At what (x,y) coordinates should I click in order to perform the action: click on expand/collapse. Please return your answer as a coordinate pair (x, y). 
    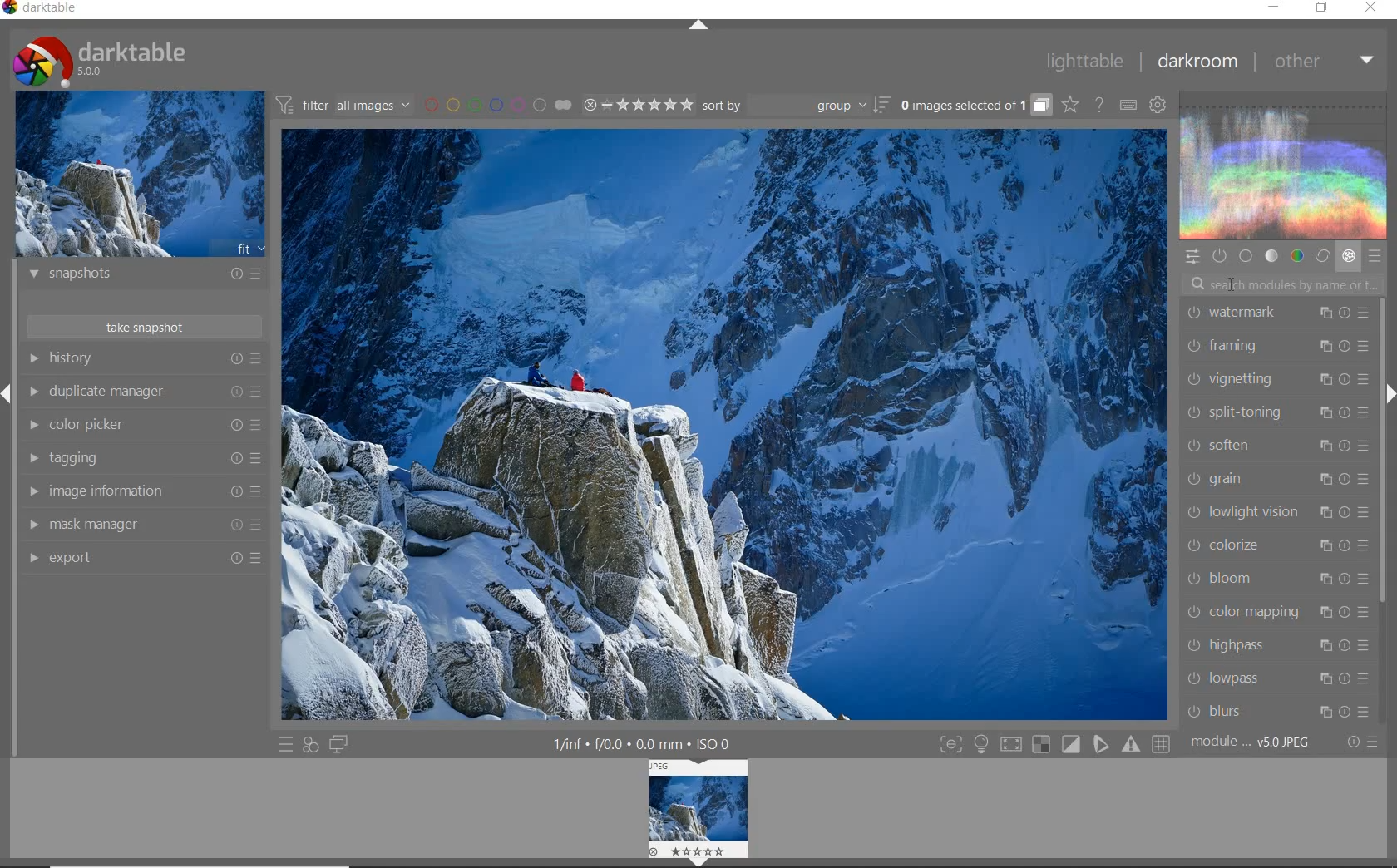
    Looking at the image, I should click on (697, 26).